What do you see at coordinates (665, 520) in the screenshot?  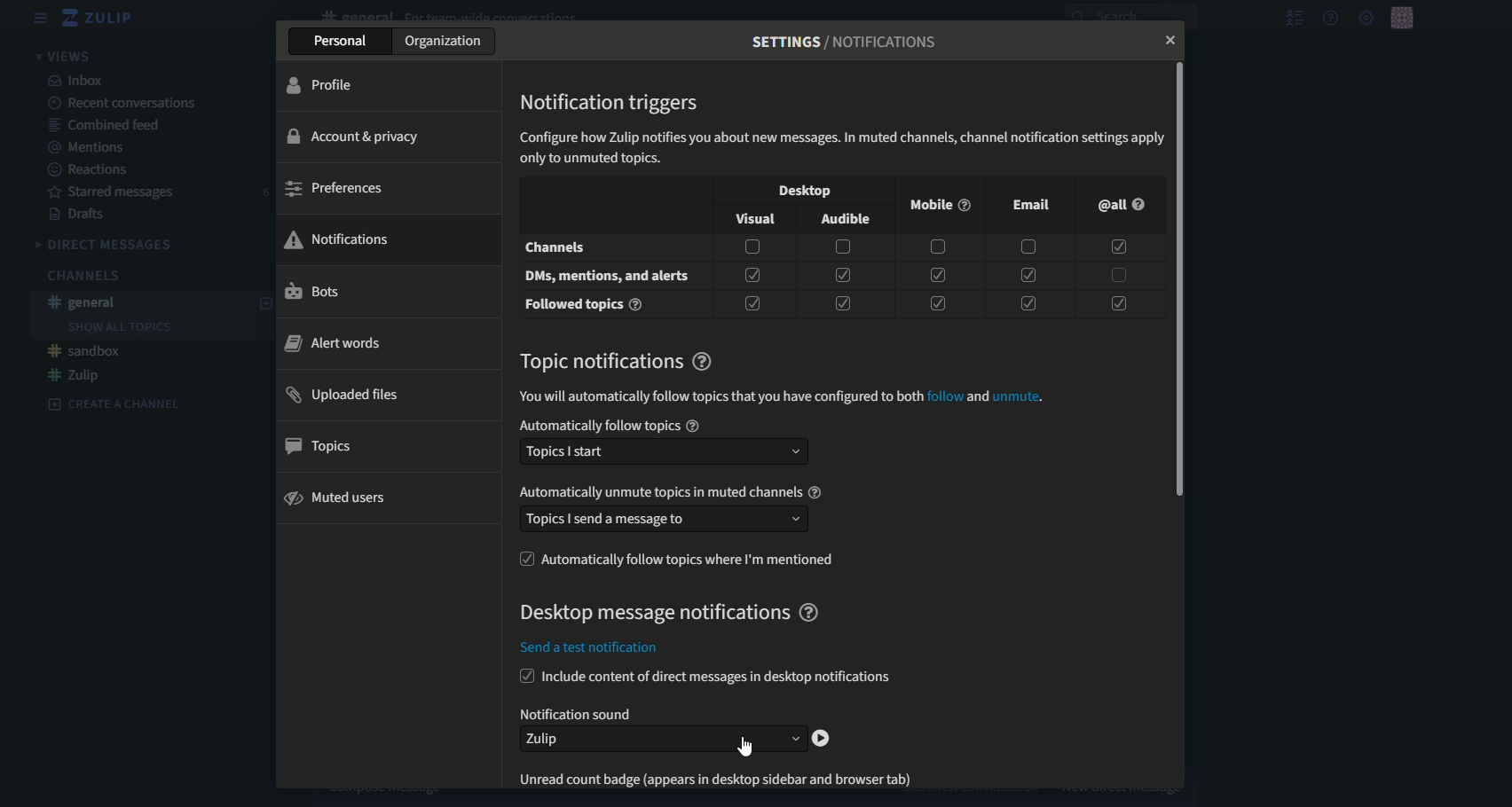 I see `text box` at bounding box center [665, 520].